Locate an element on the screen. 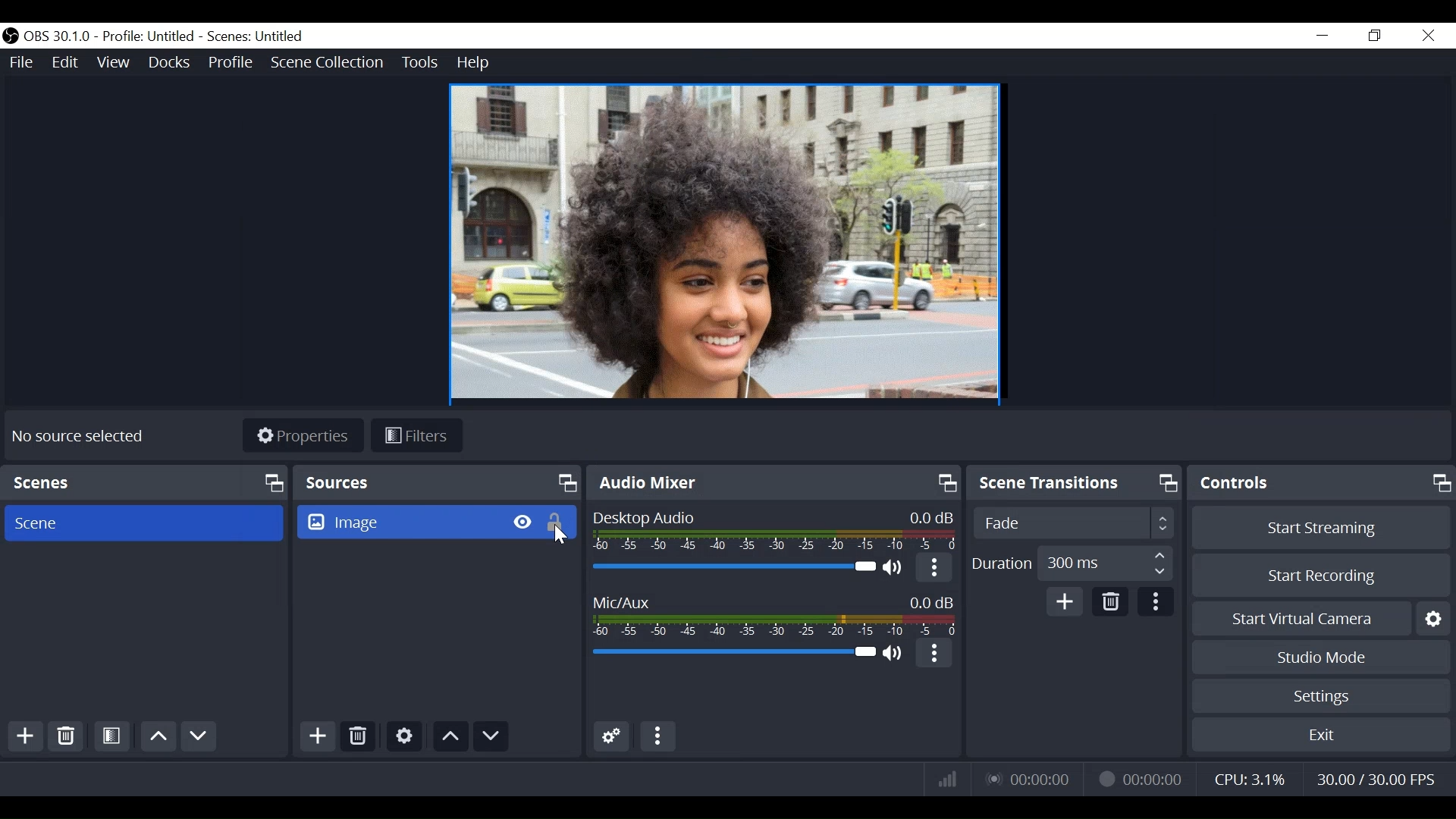  Cursor is located at coordinates (560, 535).